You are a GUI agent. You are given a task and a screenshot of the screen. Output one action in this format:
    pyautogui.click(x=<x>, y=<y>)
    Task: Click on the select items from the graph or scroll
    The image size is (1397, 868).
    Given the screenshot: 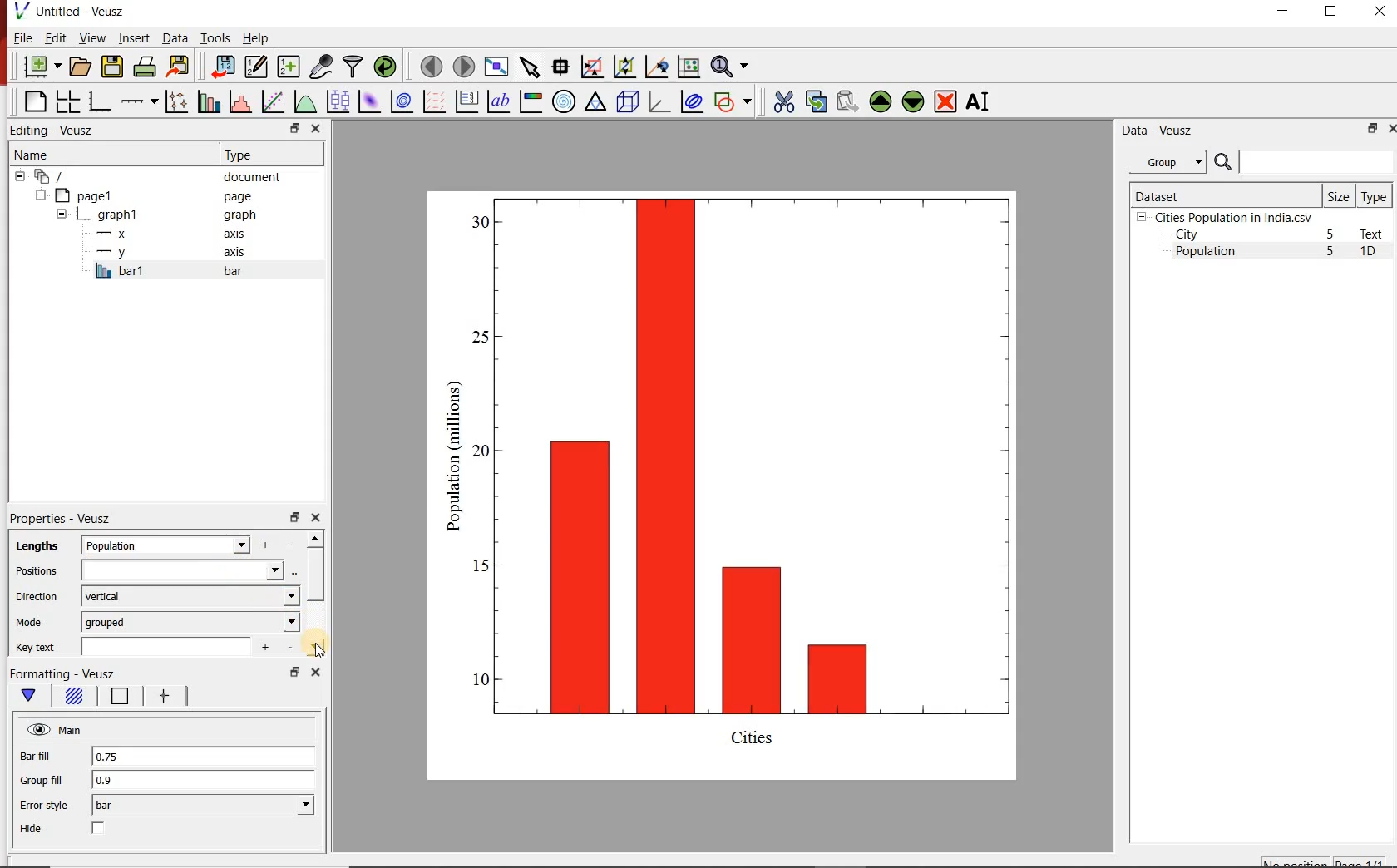 What is the action you would take?
    pyautogui.click(x=529, y=66)
    